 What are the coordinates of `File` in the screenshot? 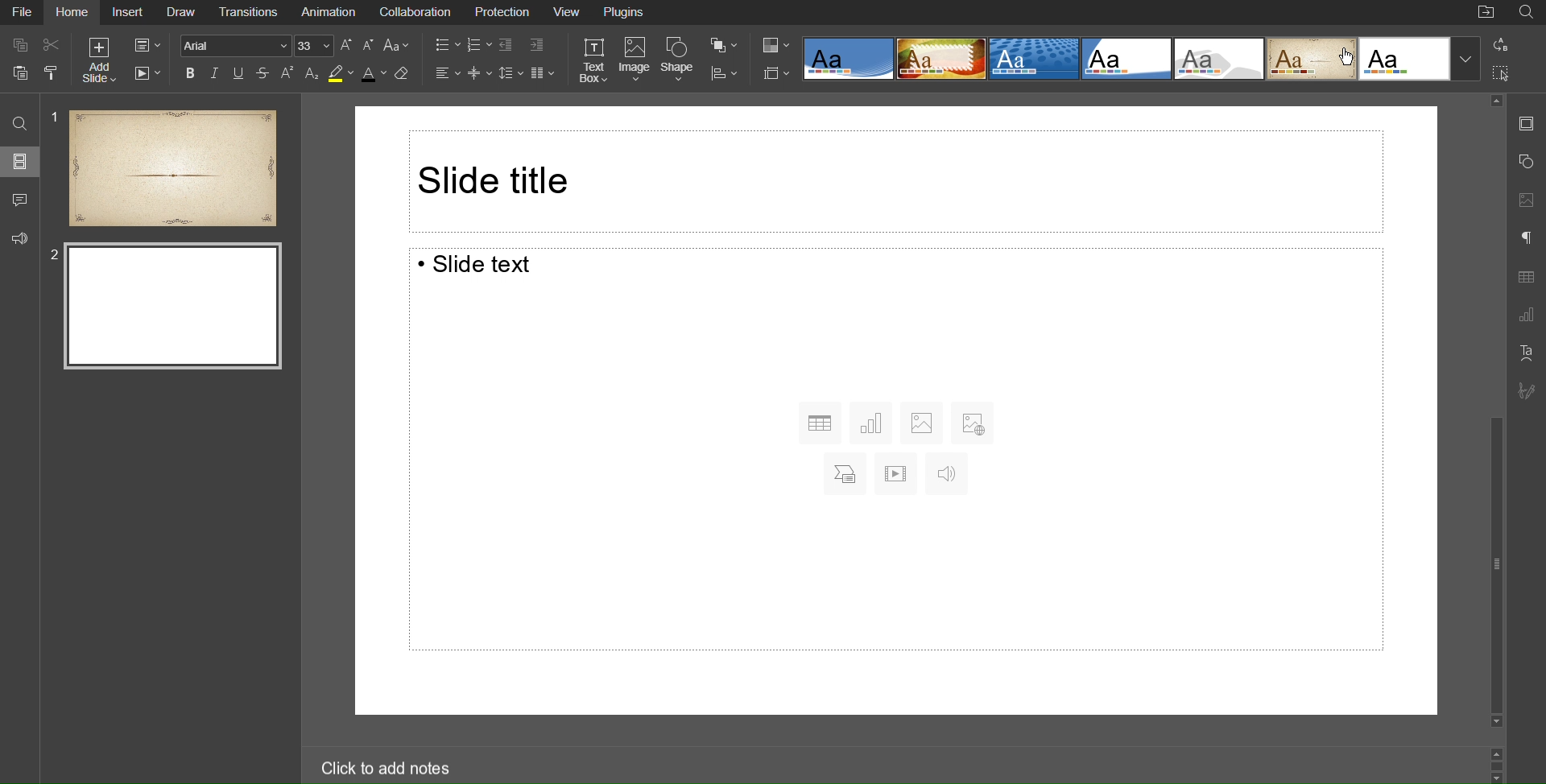 It's located at (24, 14).